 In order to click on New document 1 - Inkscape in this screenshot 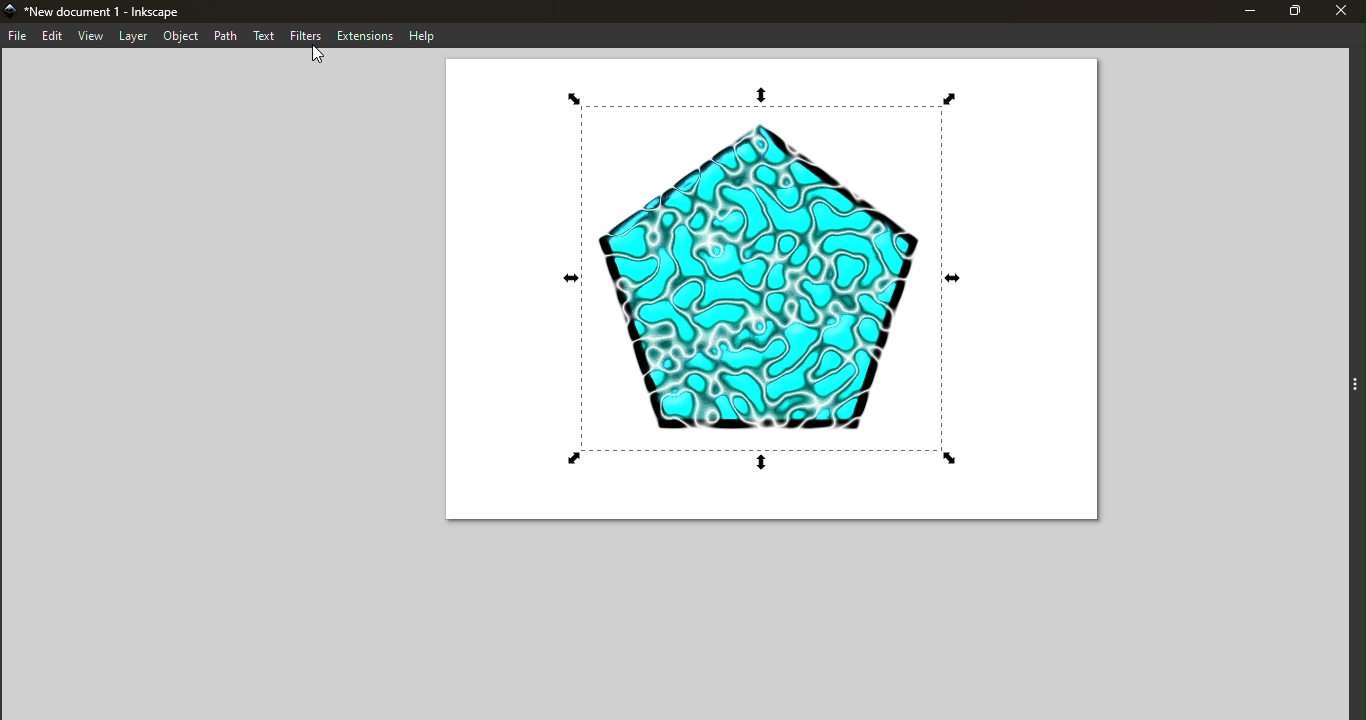, I will do `click(118, 11)`.